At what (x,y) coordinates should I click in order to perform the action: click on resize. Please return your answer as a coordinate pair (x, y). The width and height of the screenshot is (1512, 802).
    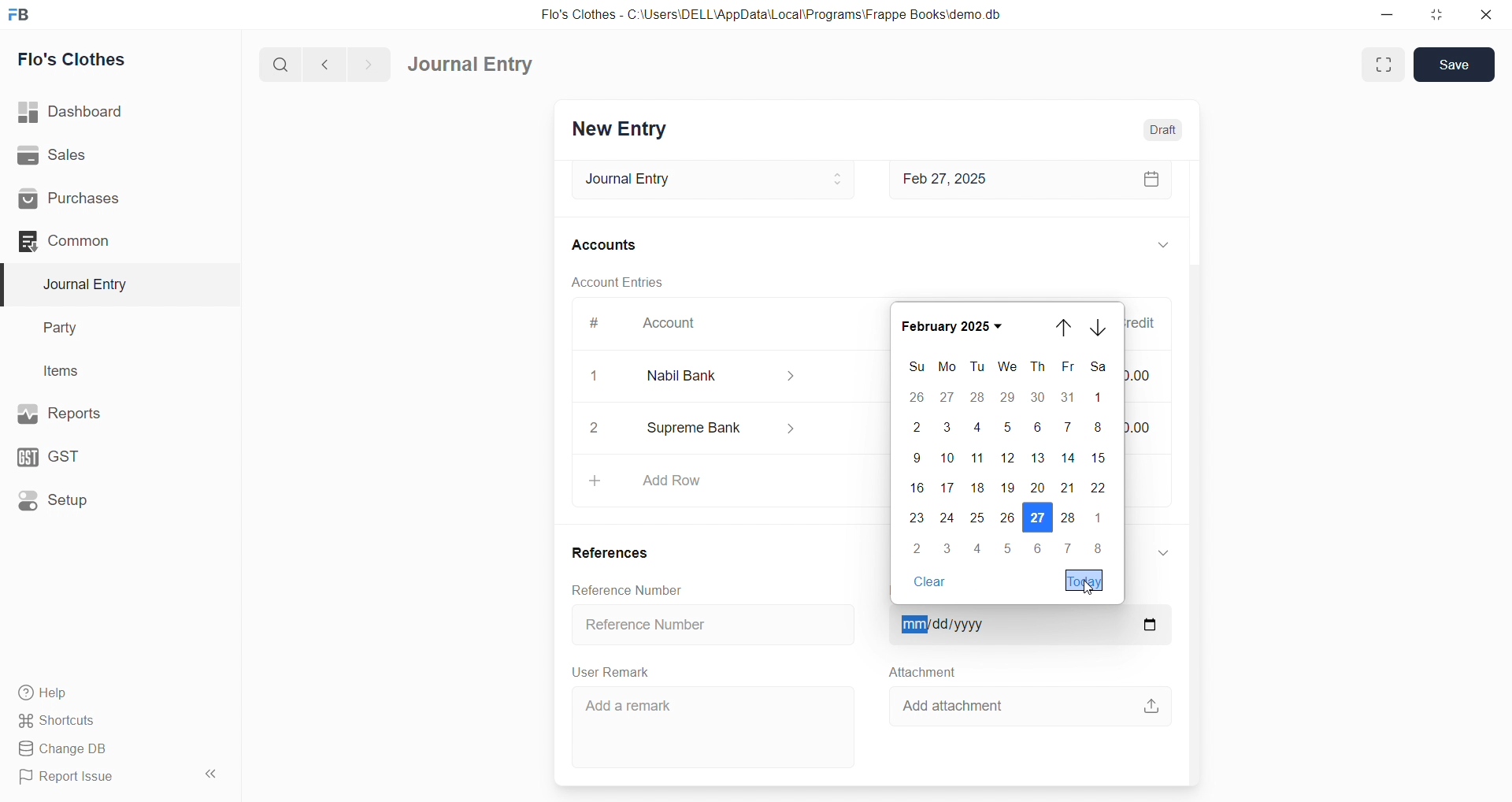
    Looking at the image, I should click on (1436, 13).